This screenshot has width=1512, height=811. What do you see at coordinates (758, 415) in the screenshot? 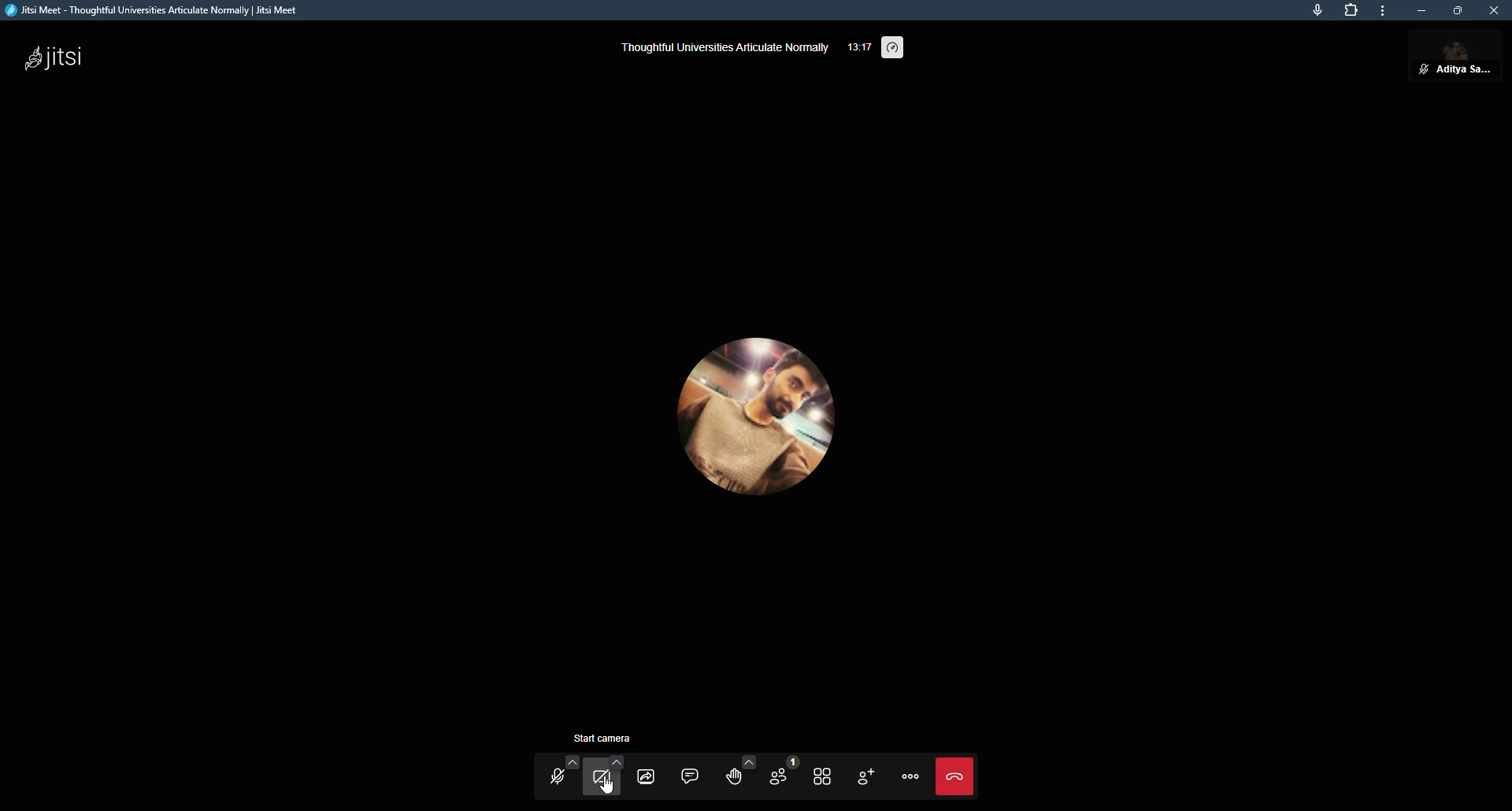
I see `profile picture` at bounding box center [758, 415].